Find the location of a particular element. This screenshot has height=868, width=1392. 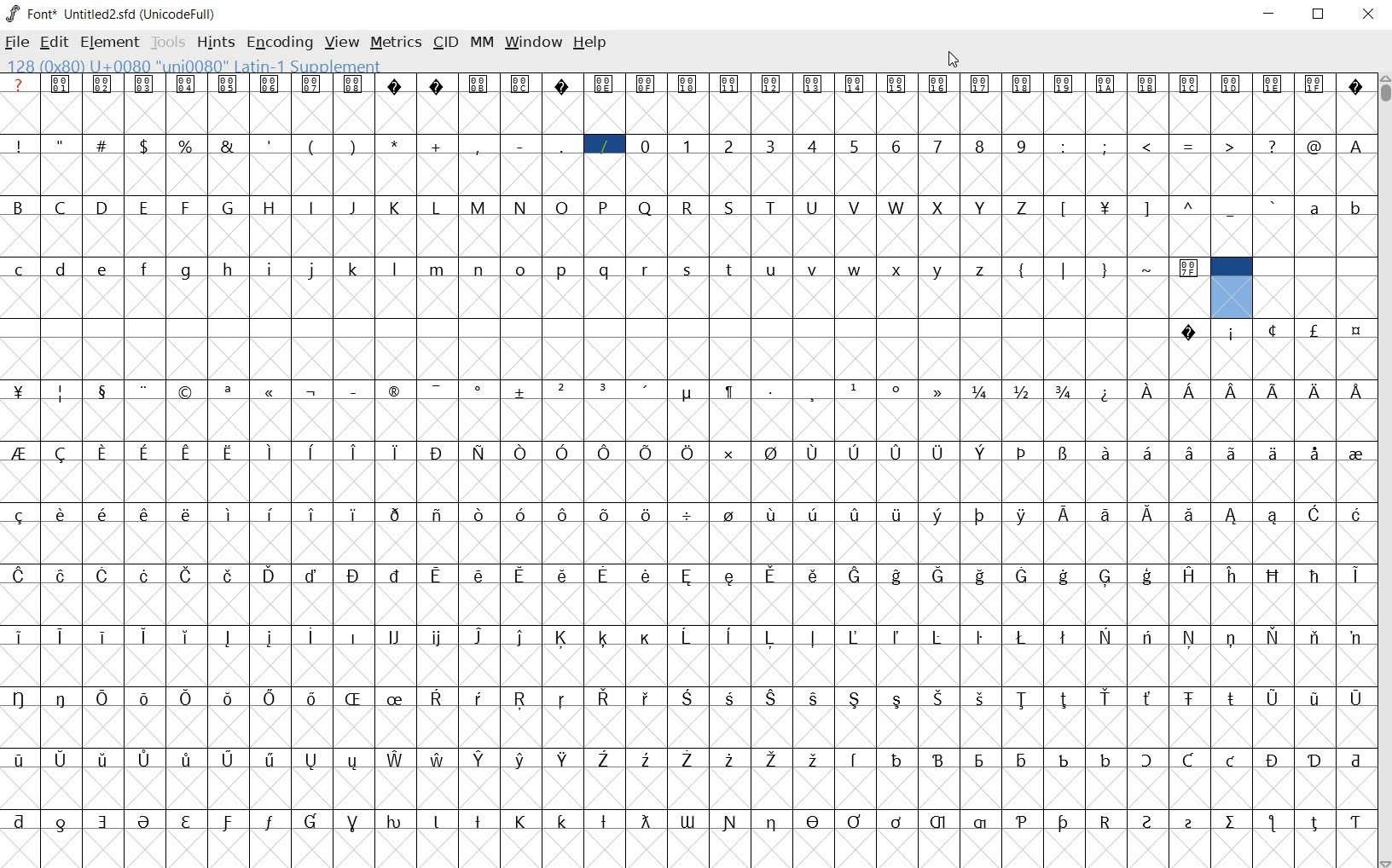

7 is located at coordinates (938, 145).